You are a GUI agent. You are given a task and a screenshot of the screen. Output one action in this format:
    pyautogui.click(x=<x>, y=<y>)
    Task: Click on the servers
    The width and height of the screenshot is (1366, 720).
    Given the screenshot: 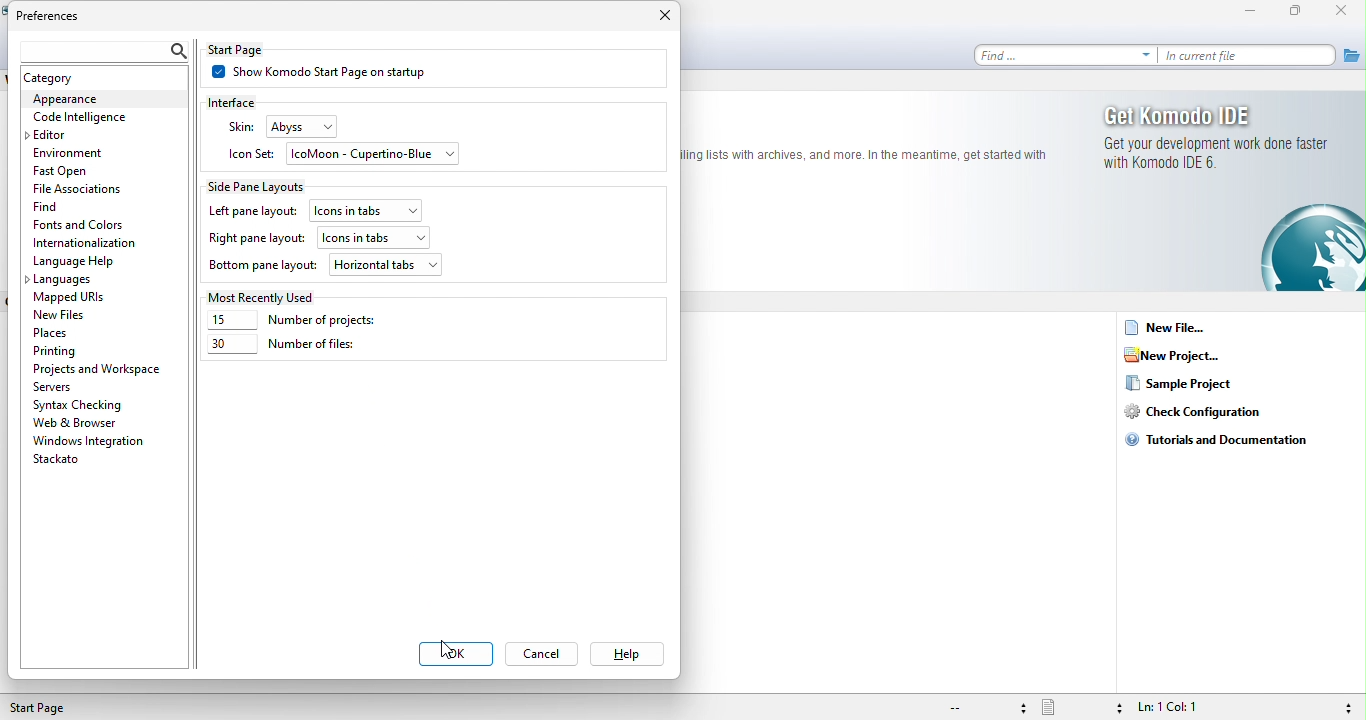 What is the action you would take?
    pyautogui.click(x=60, y=387)
    